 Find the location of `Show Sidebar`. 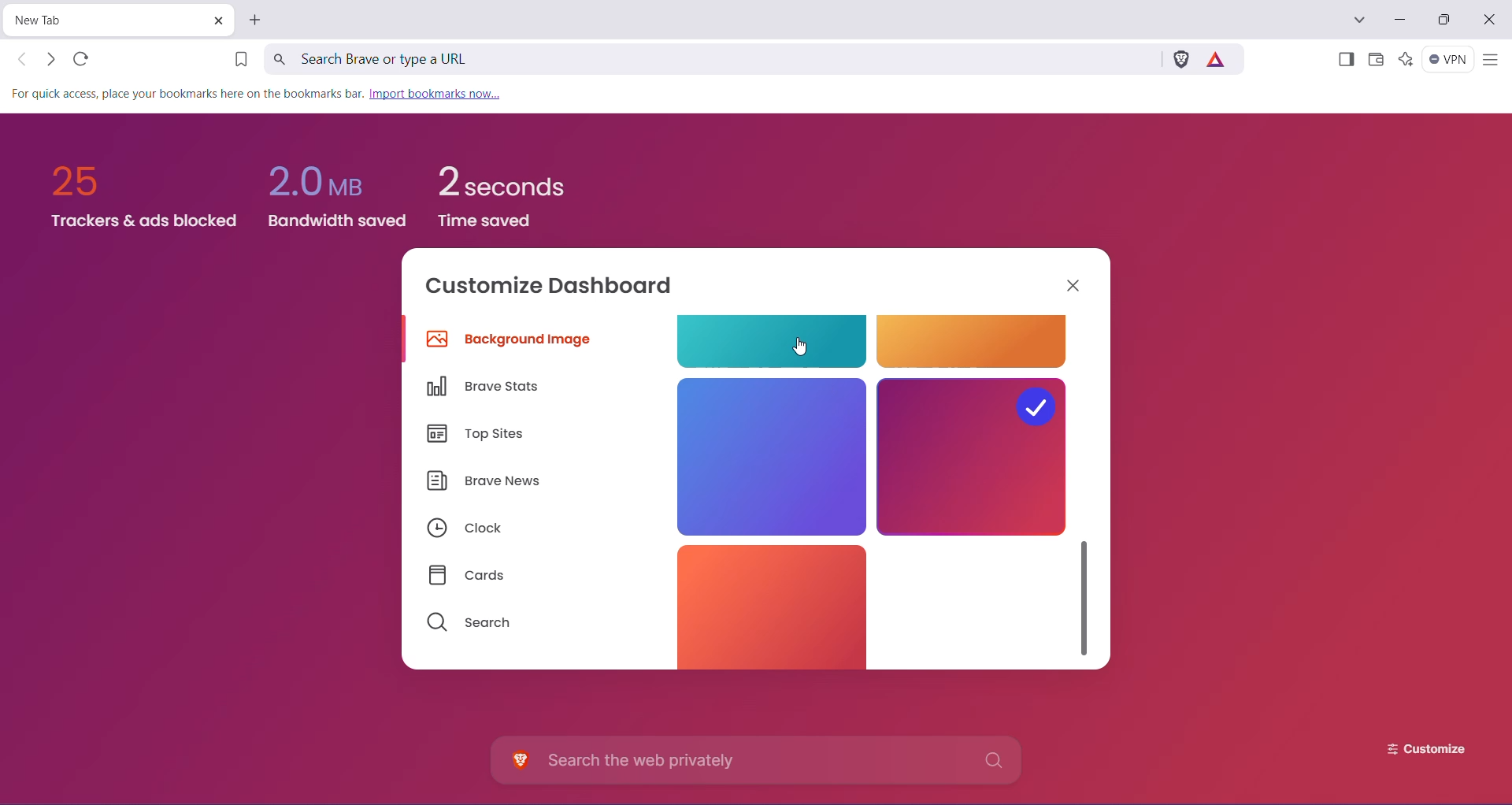

Show Sidebar is located at coordinates (1344, 61).